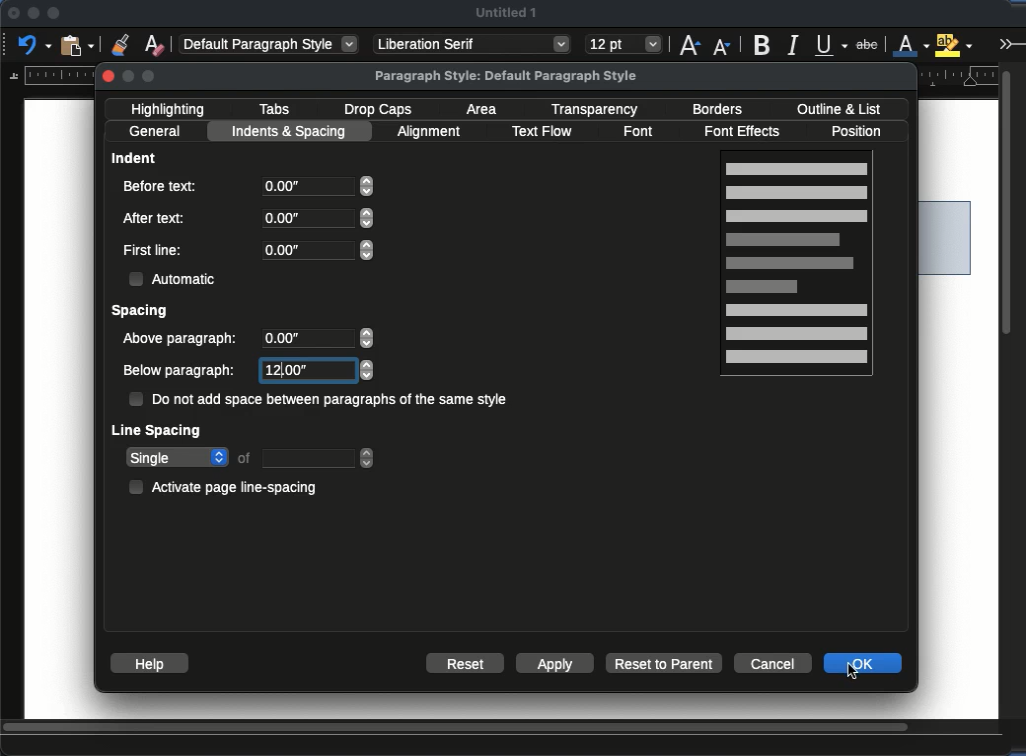 This screenshot has height=756, width=1026. Describe the element at coordinates (110, 76) in the screenshot. I see `close` at that location.